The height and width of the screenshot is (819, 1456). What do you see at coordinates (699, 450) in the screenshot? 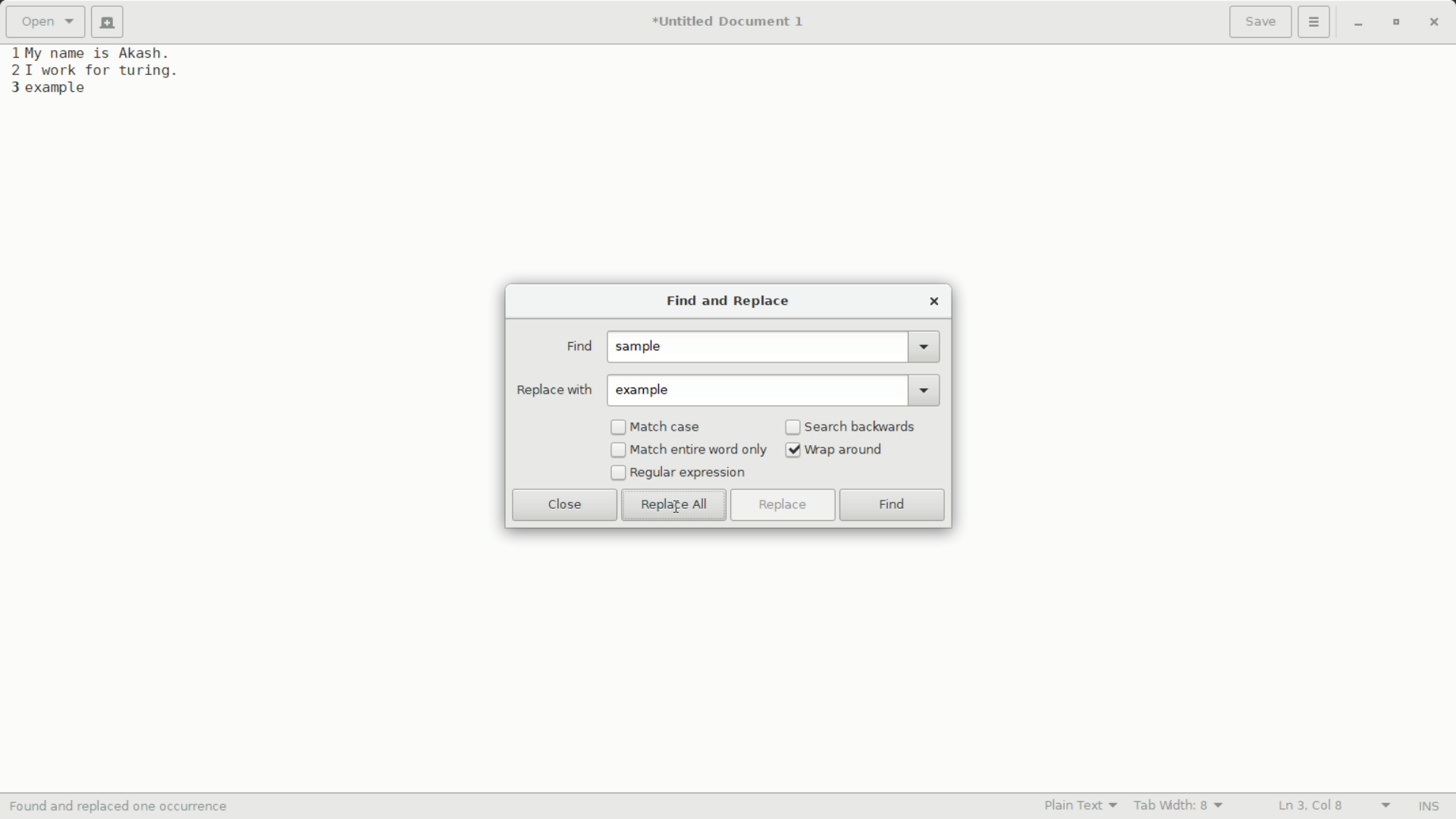
I see `match entire word only` at bounding box center [699, 450].